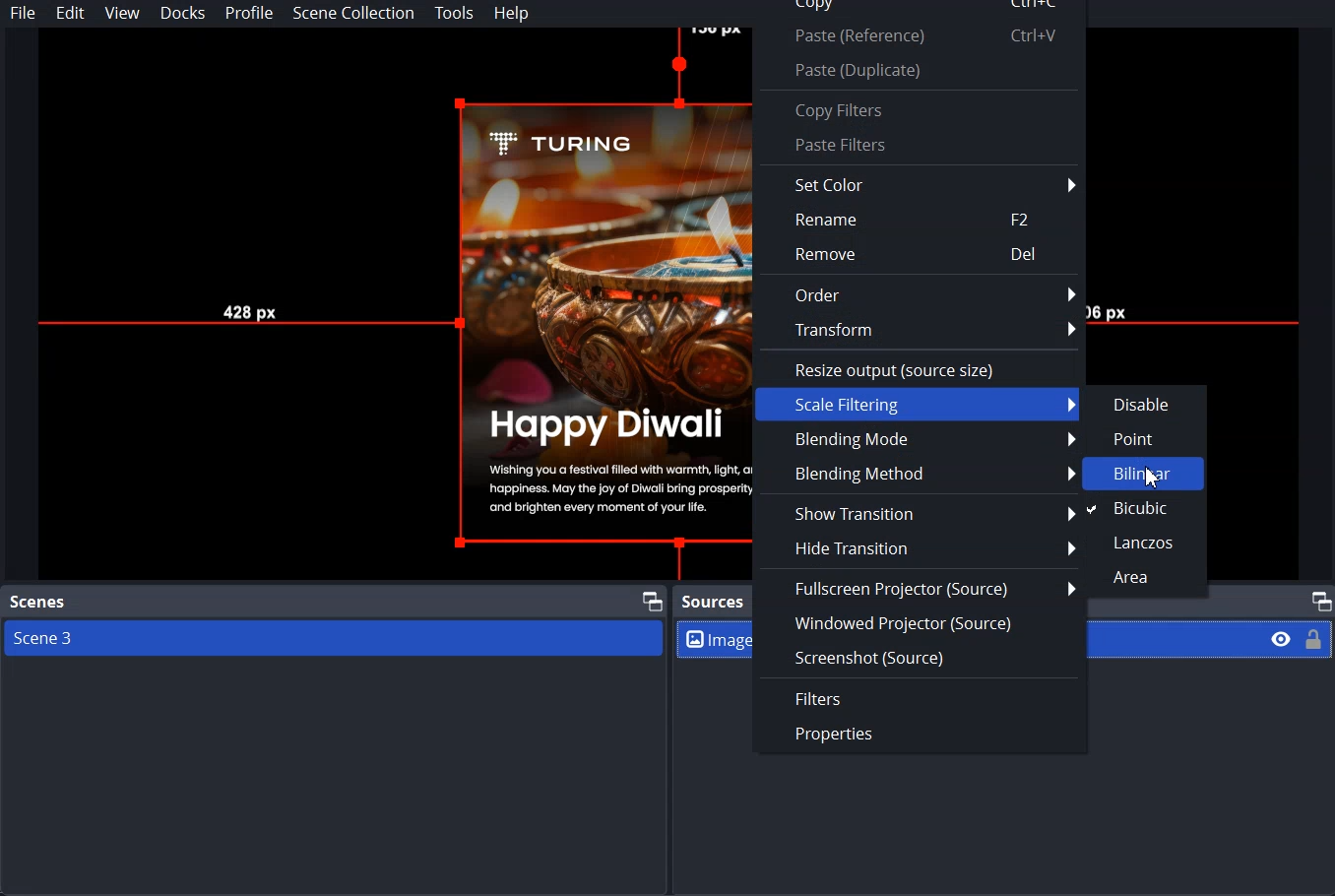 Image resolution: width=1335 pixels, height=896 pixels. Describe the element at coordinates (920, 697) in the screenshot. I see `Filters` at that location.